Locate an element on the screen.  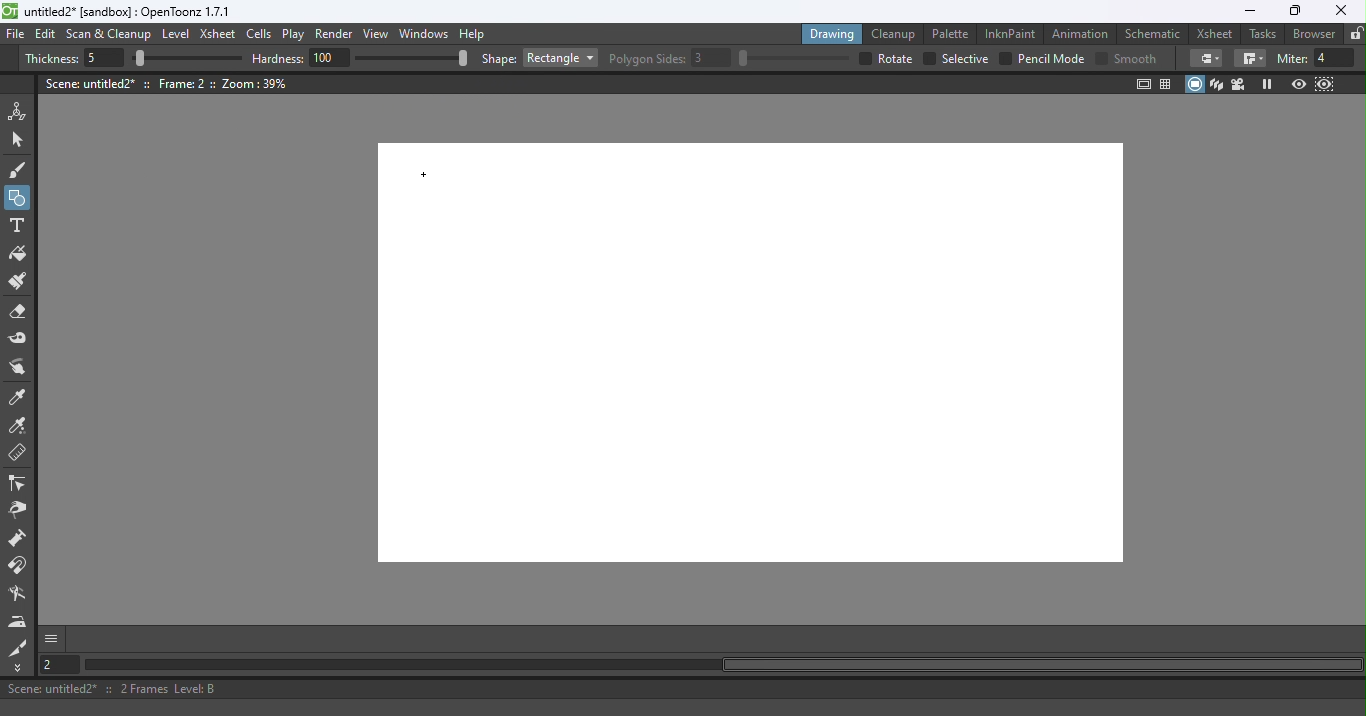
drawing cursor is located at coordinates (425, 176).